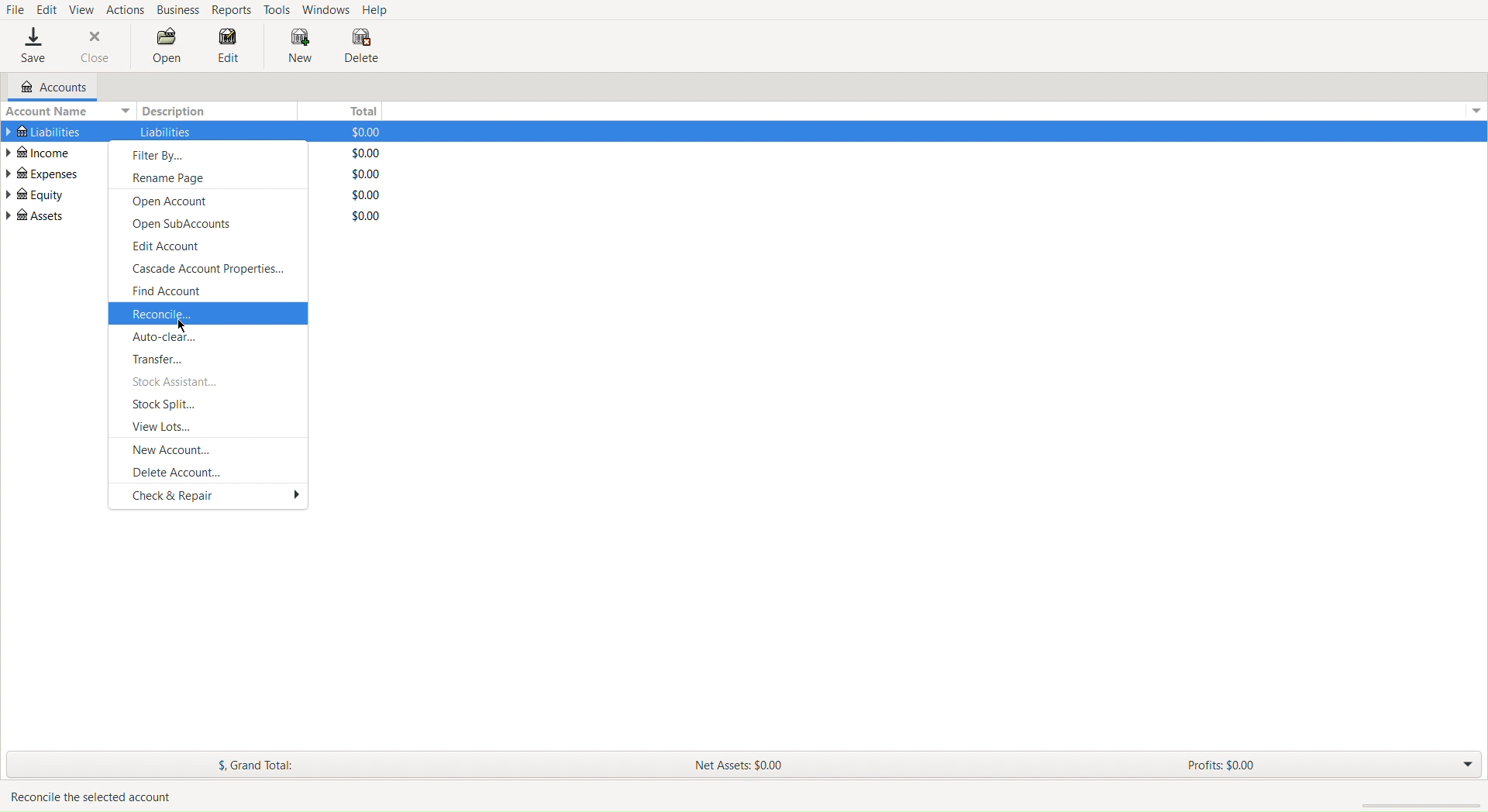 The height and width of the screenshot is (812, 1488). I want to click on Income, so click(40, 153).